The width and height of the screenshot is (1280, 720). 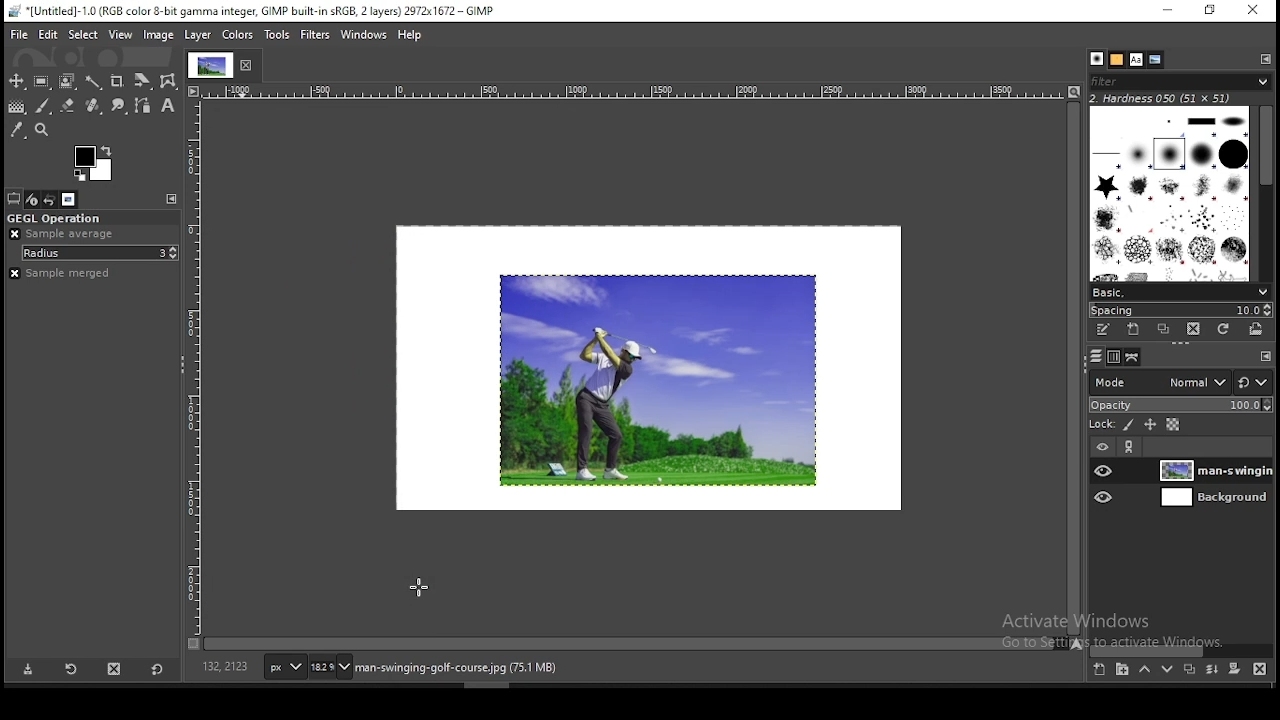 What do you see at coordinates (42, 82) in the screenshot?
I see `rectangular selection tool` at bounding box center [42, 82].